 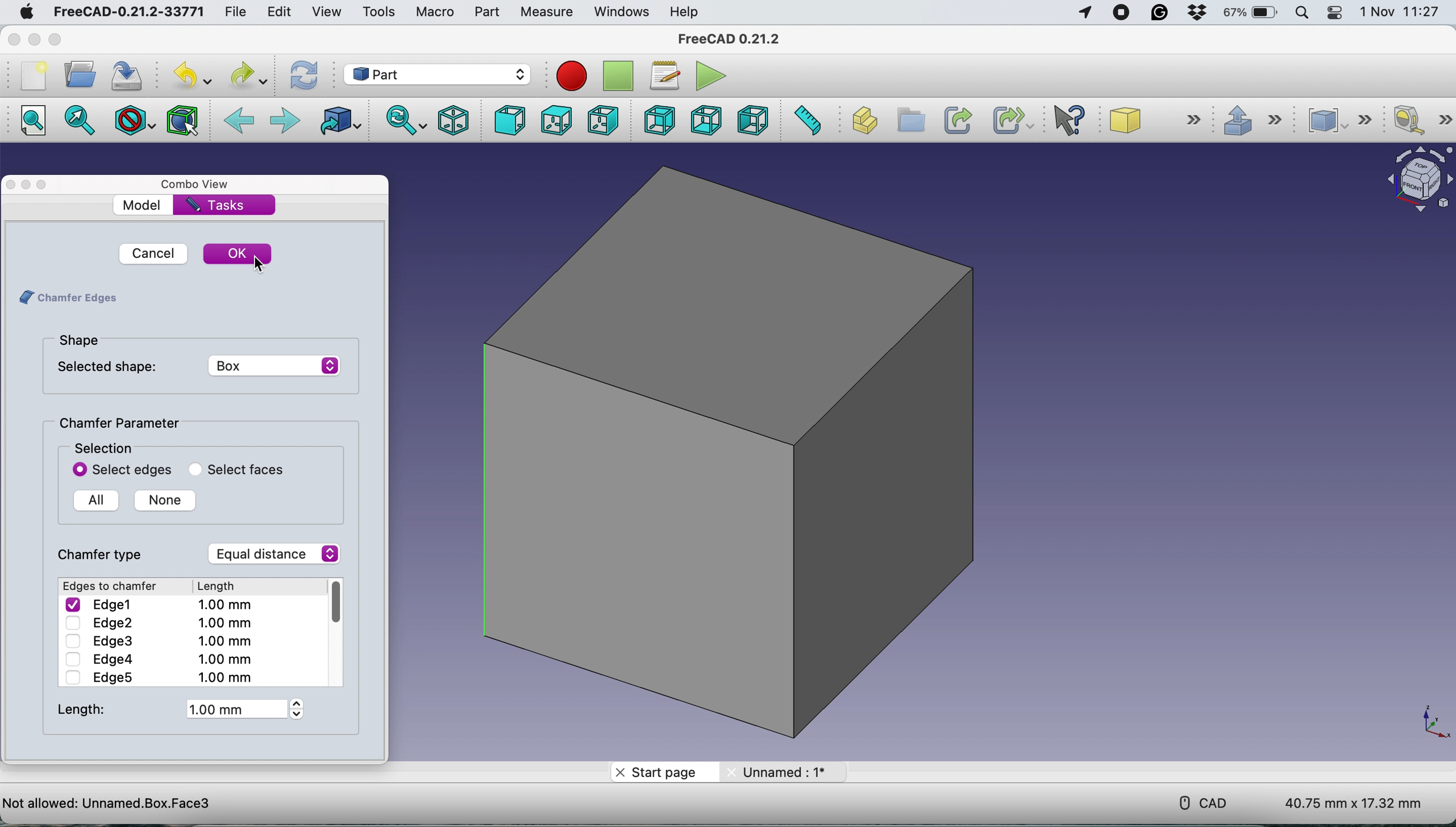 What do you see at coordinates (1065, 120) in the screenshot?
I see `what's this` at bounding box center [1065, 120].